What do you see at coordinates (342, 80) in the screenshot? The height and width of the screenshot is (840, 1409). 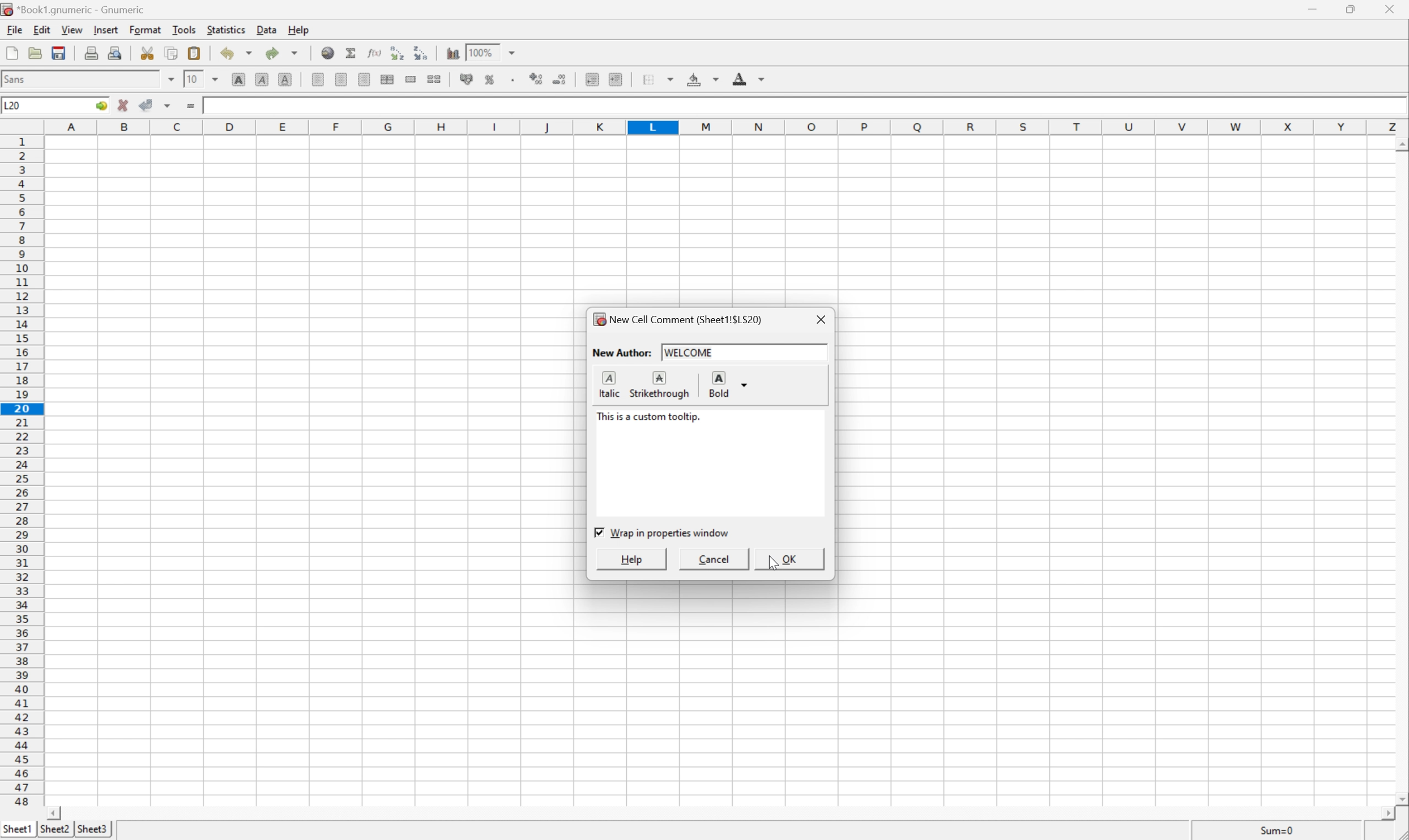 I see `Center Horizontally` at bounding box center [342, 80].